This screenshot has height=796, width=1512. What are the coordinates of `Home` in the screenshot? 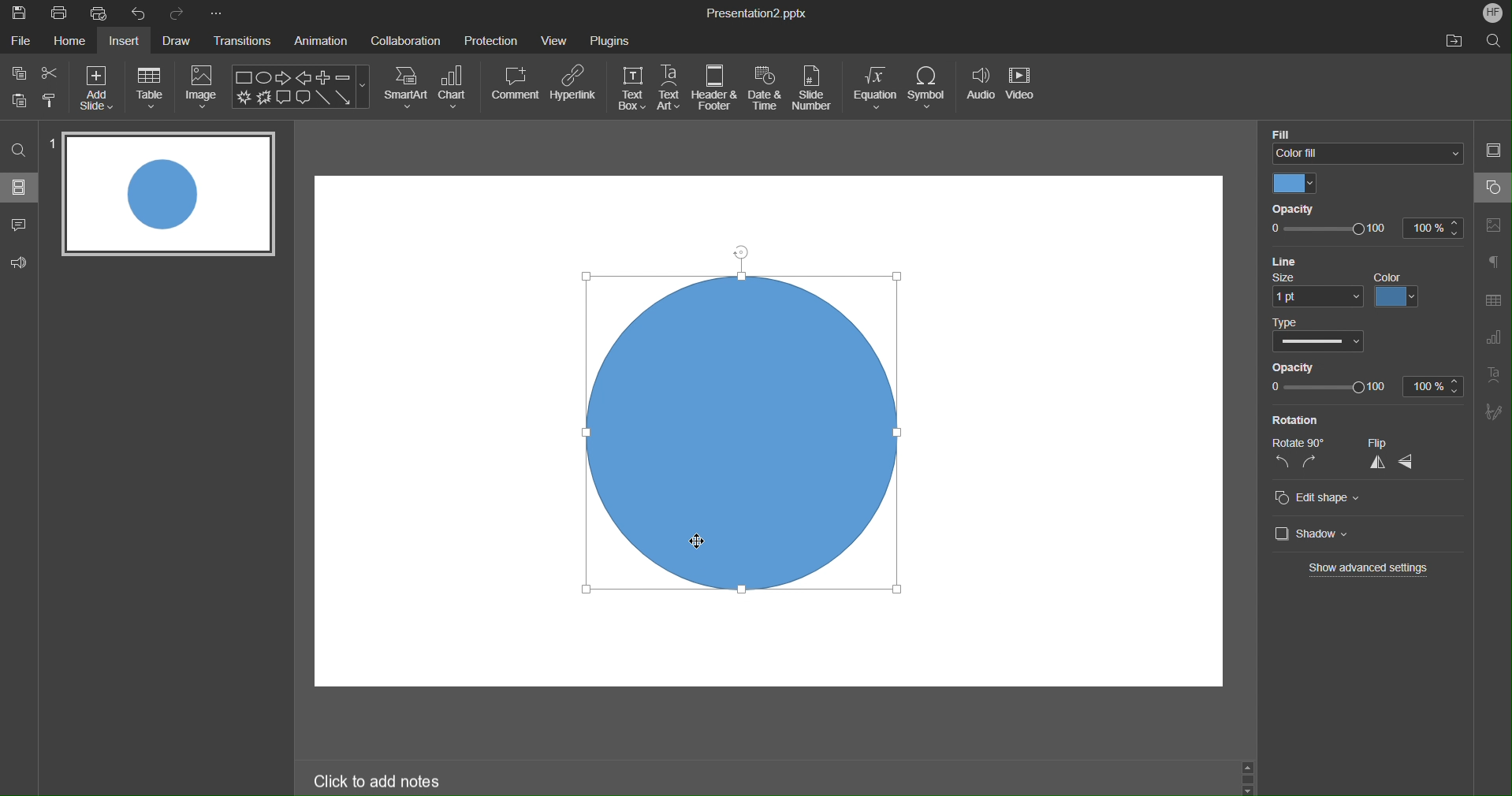 It's located at (68, 42).